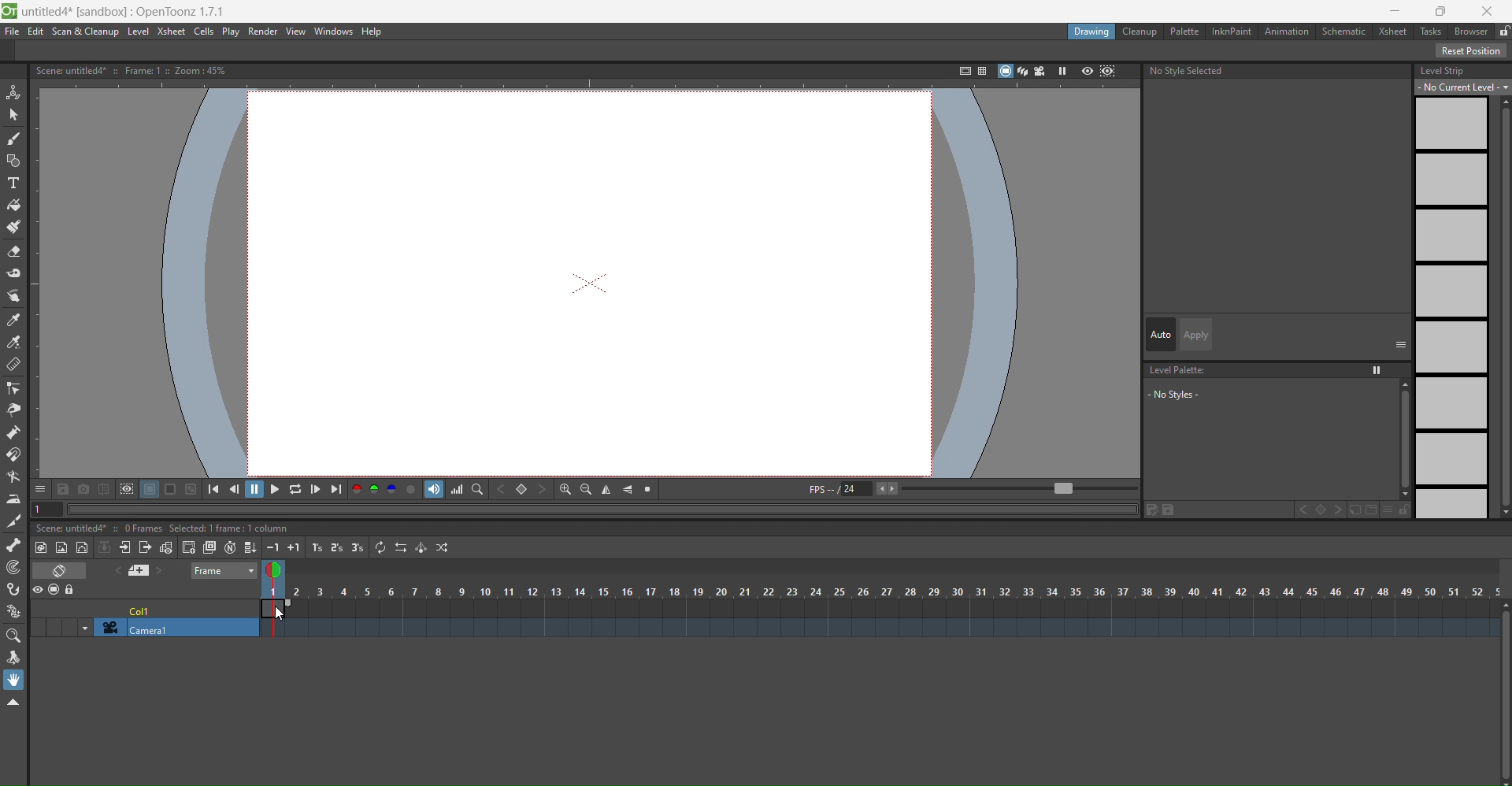 This screenshot has width=1512, height=786. Describe the element at coordinates (14, 273) in the screenshot. I see `tape tool` at that location.